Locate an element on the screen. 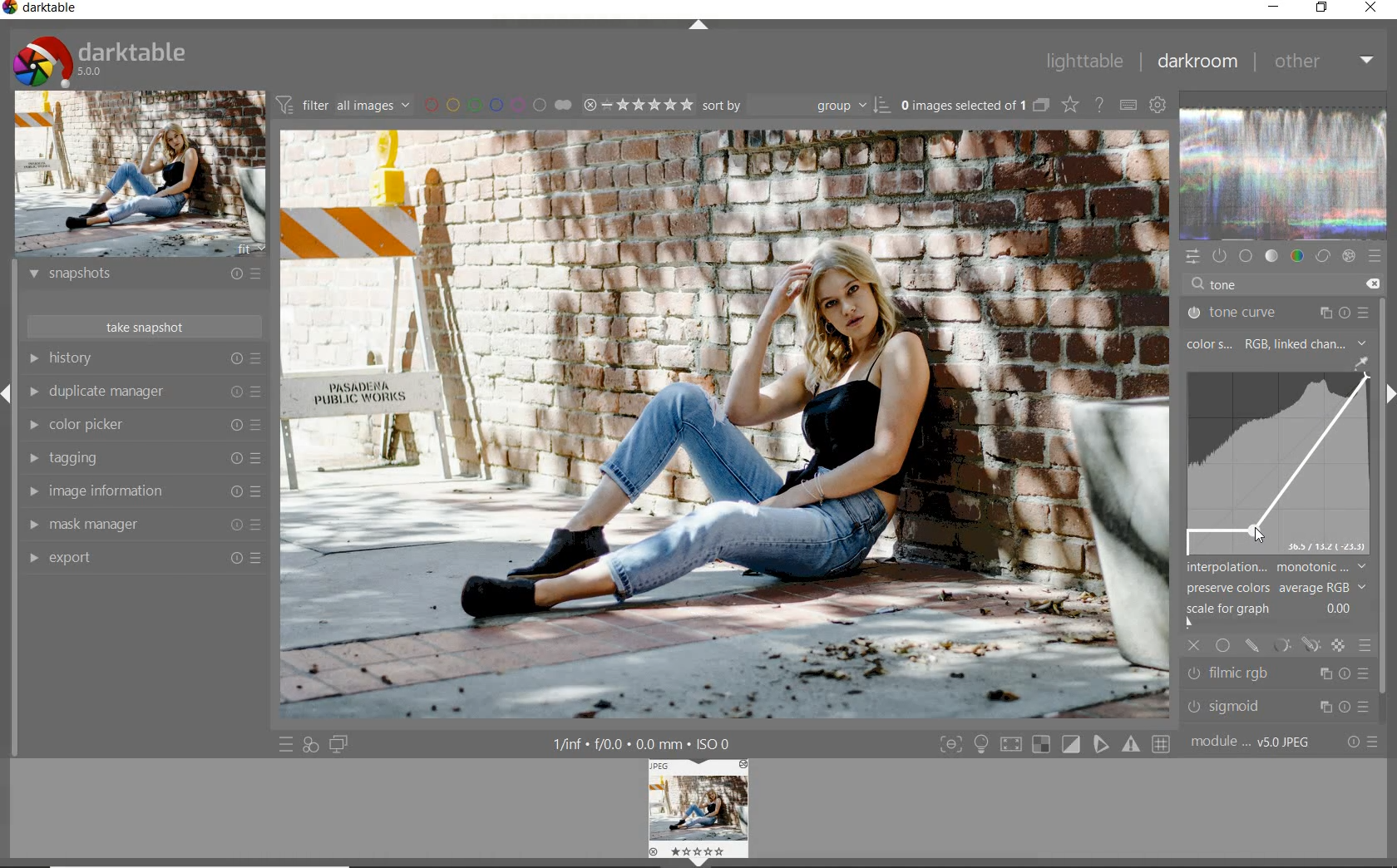 The image size is (1397, 868). waveform is located at coordinates (1284, 175).